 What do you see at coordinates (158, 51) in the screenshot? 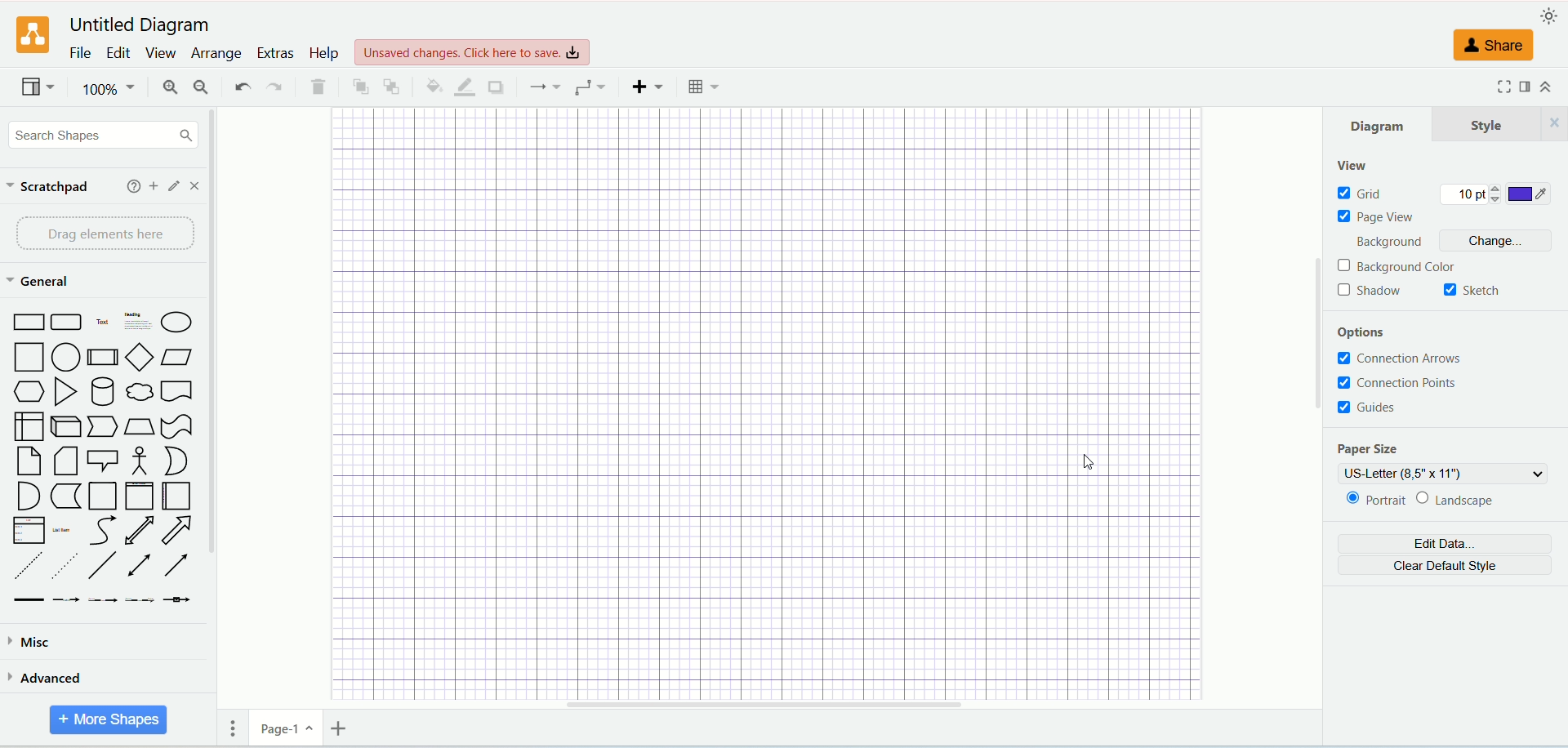
I see `view` at bounding box center [158, 51].